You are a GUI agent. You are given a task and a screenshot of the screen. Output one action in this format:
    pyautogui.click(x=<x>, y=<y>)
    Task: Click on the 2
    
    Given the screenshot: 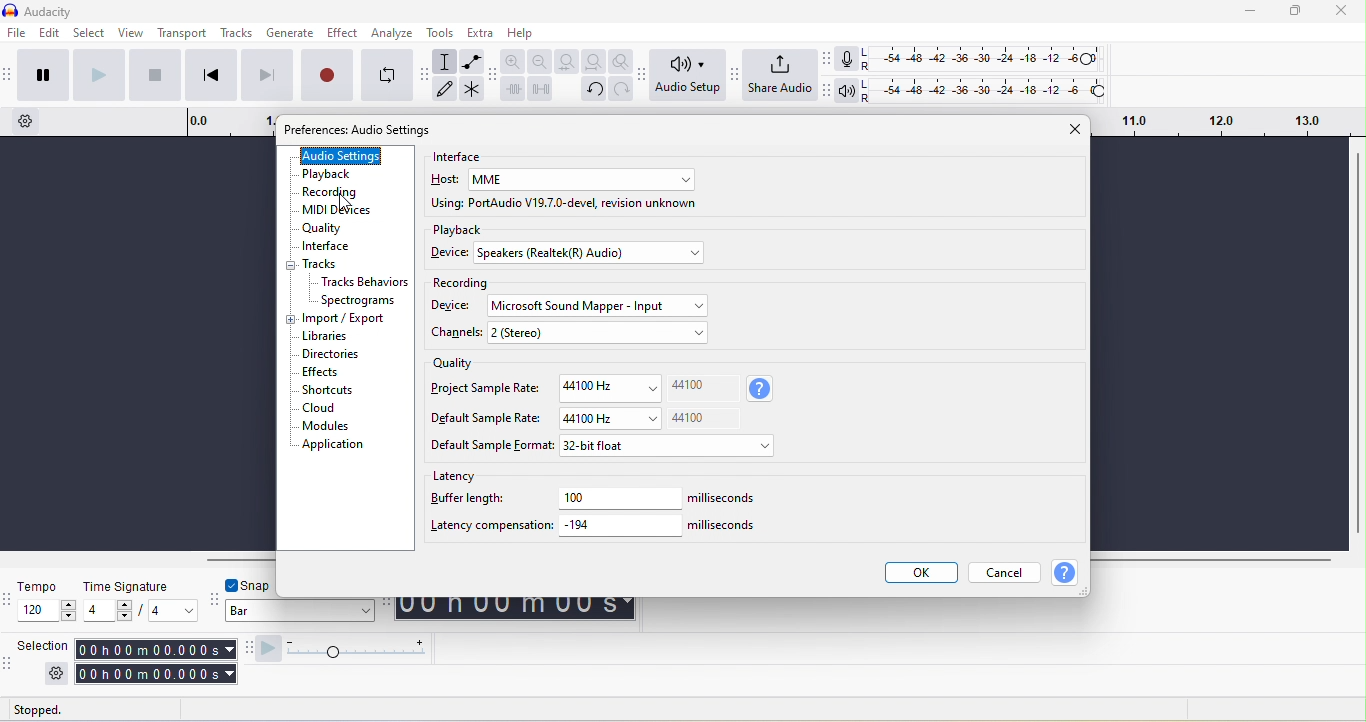 What is the action you would take?
    pyautogui.click(x=610, y=331)
    